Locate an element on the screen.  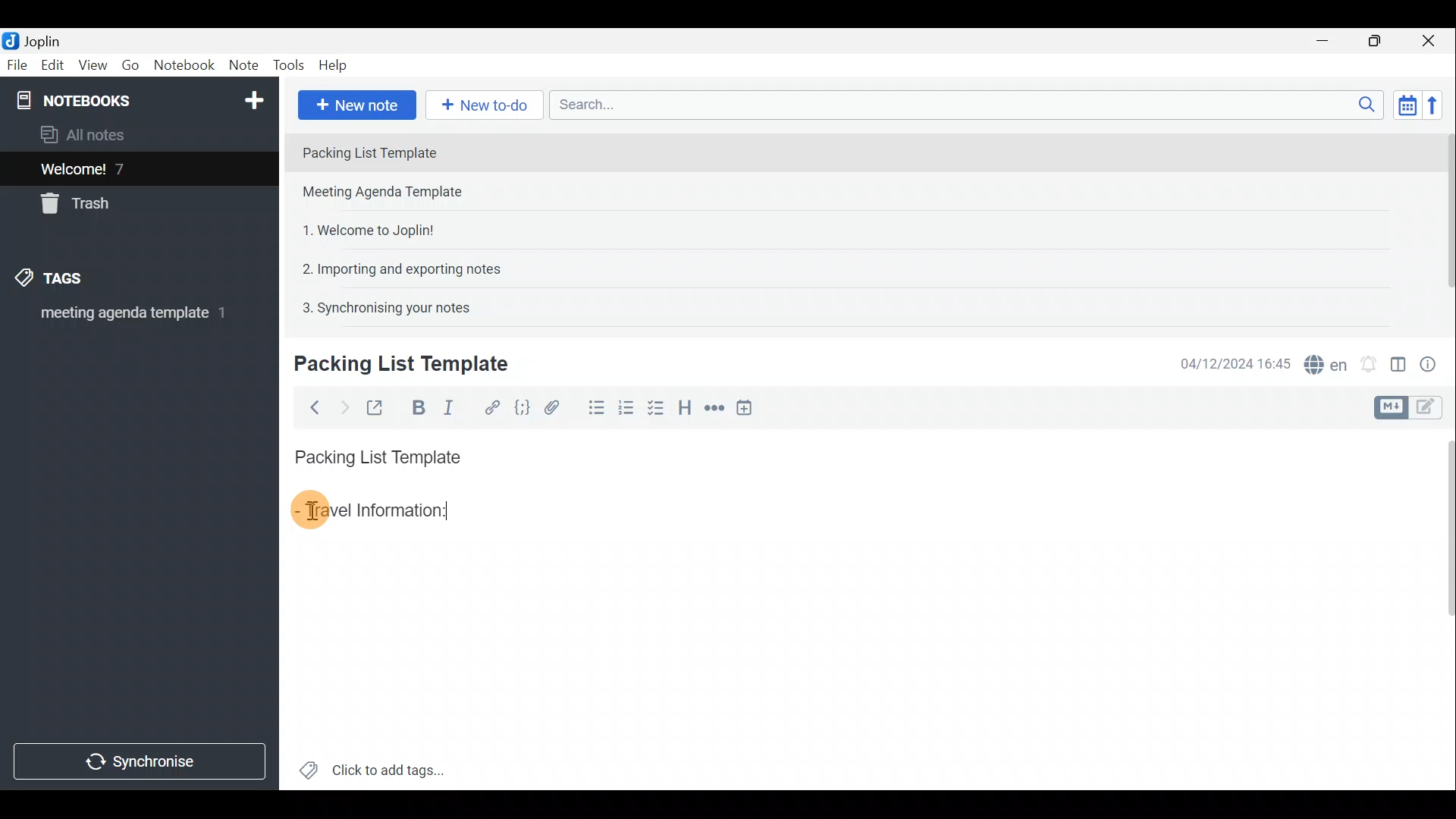
Go is located at coordinates (131, 65).